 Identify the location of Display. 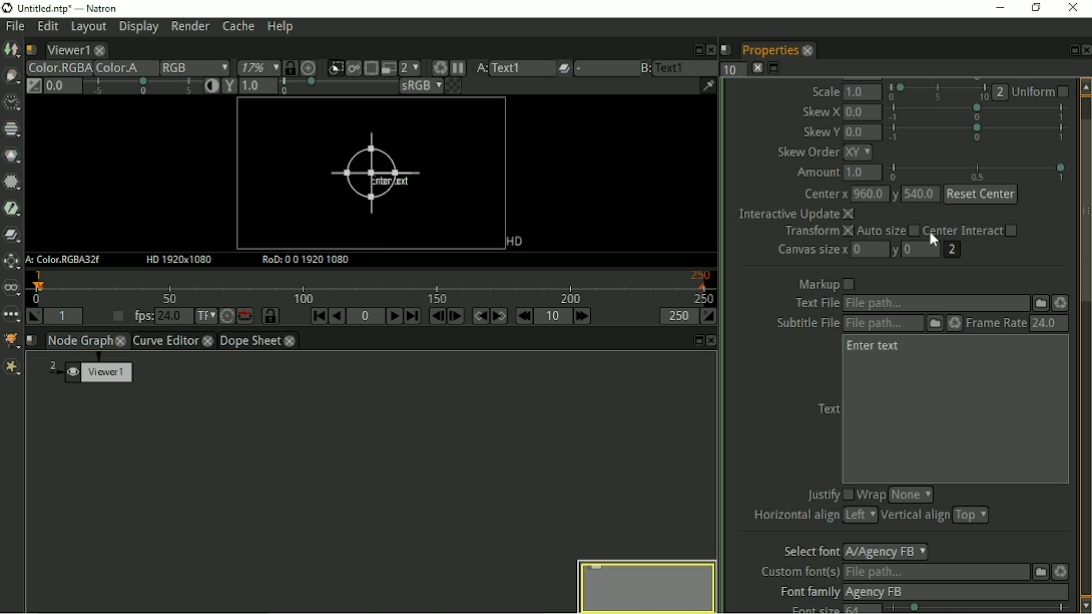
(138, 29).